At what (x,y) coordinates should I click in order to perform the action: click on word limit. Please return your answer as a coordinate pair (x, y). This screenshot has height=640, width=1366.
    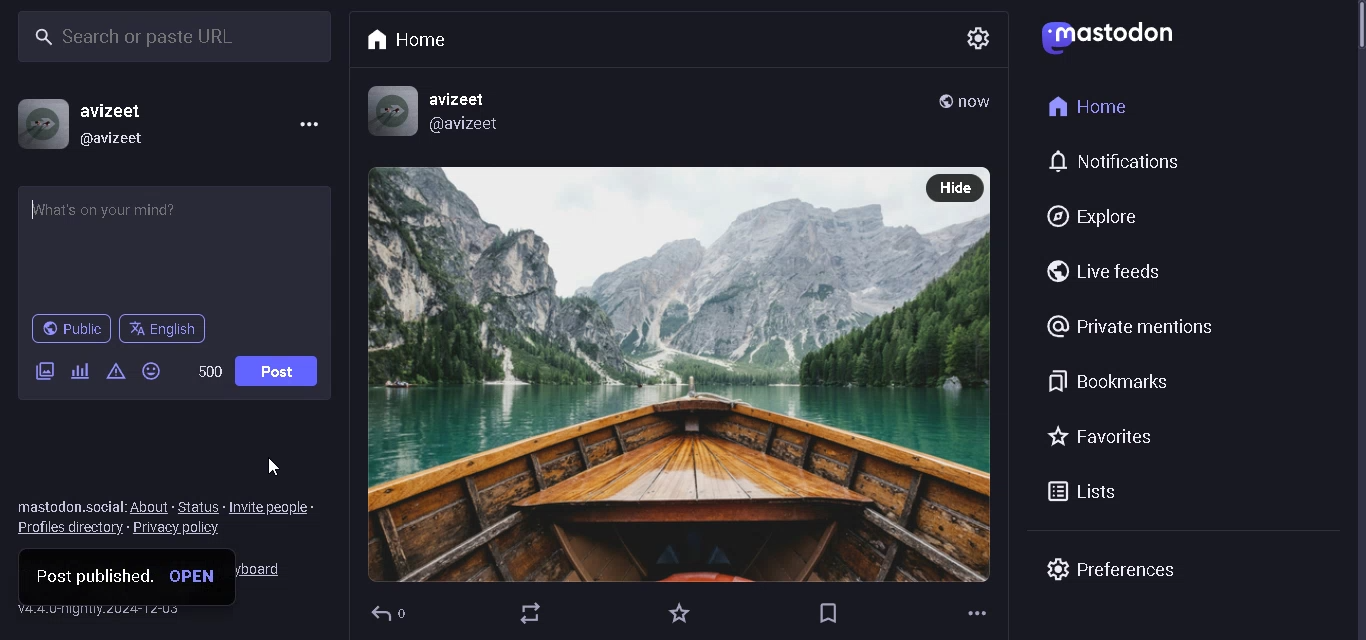
    Looking at the image, I should click on (212, 370).